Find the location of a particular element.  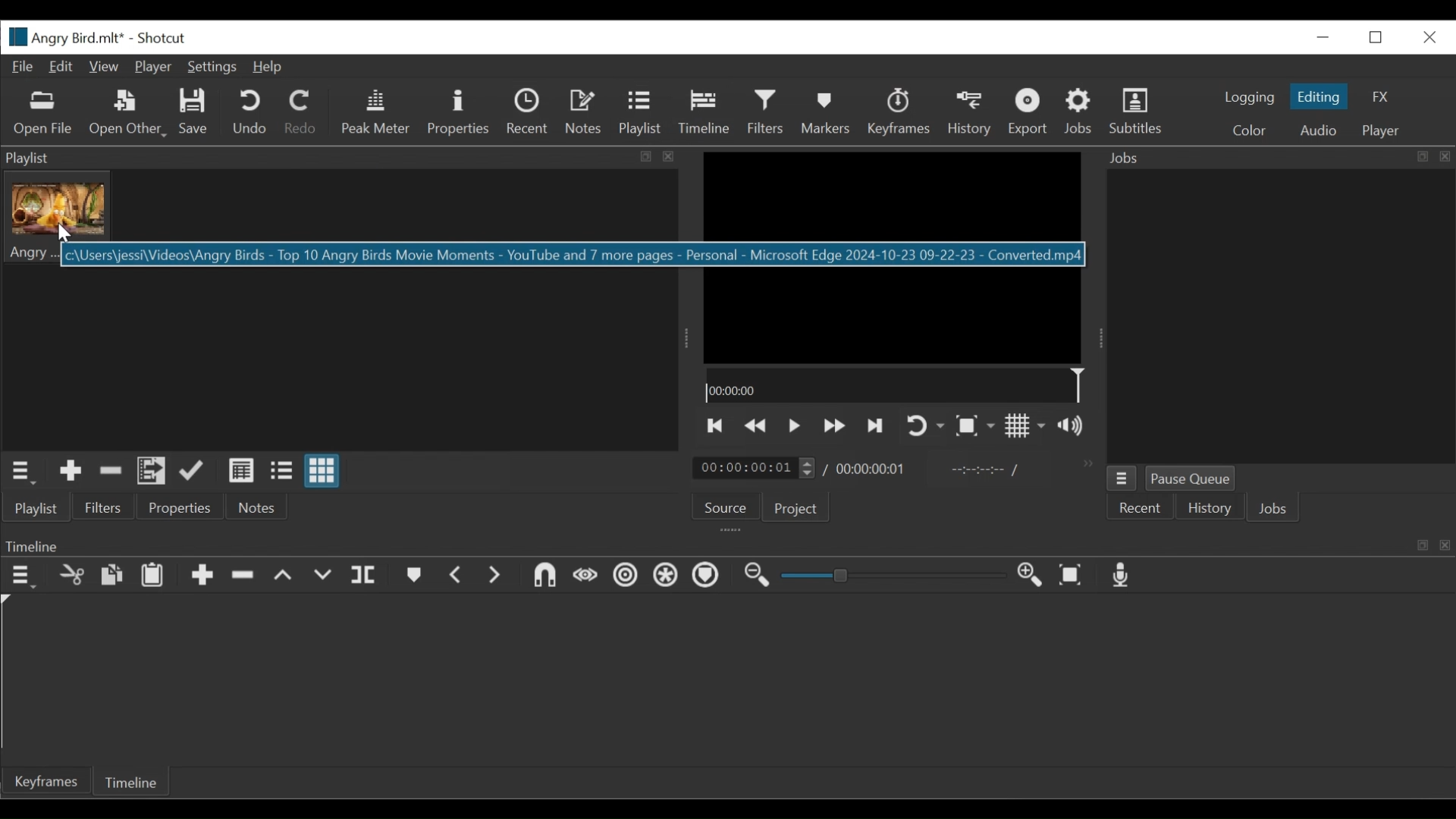

Zoom timeline in is located at coordinates (1031, 575).